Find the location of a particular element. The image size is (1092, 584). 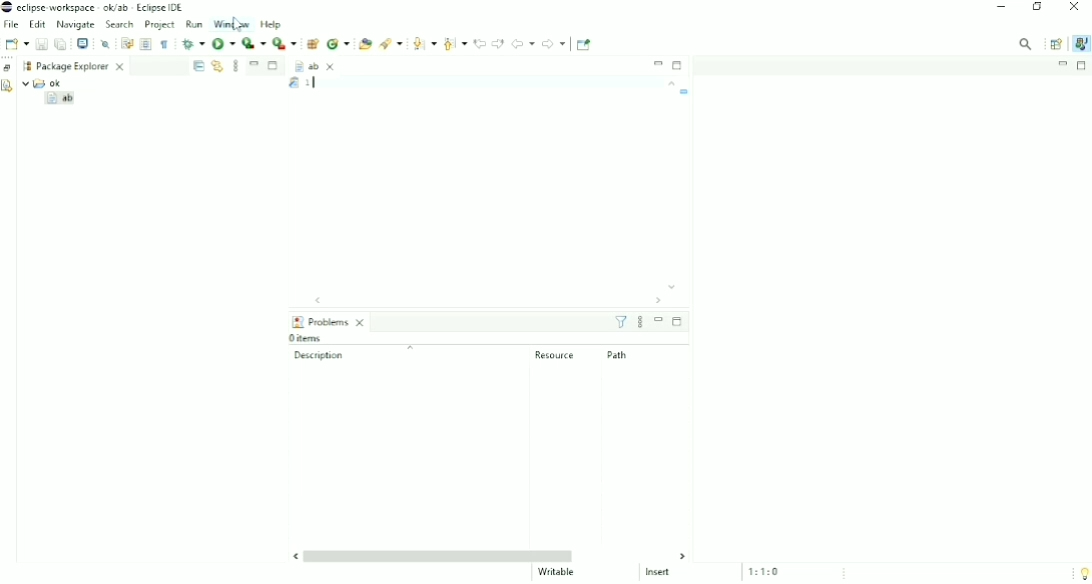

Previous Edit Location is located at coordinates (479, 42).